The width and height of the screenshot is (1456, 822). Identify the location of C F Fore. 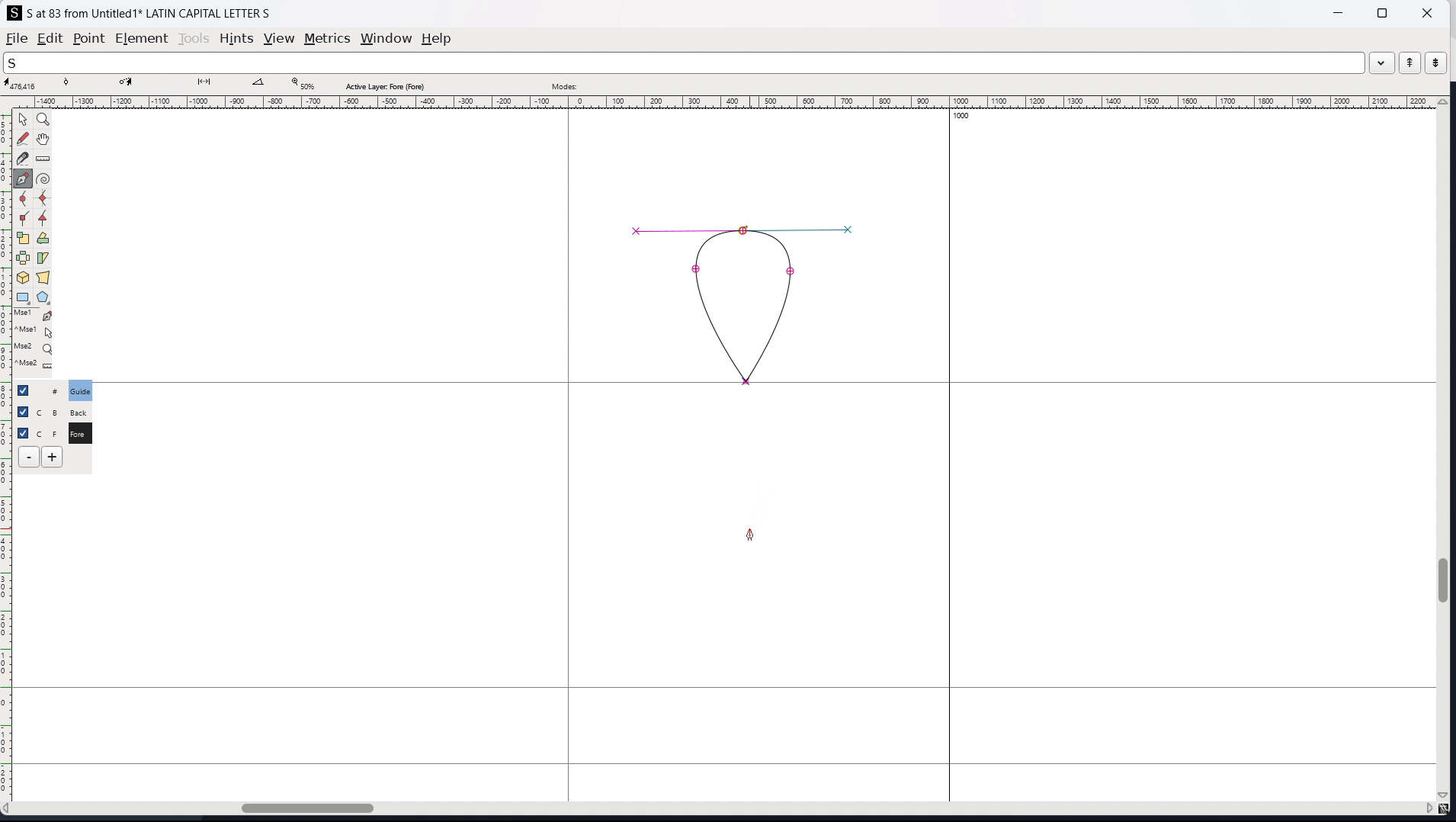
(79, 432).